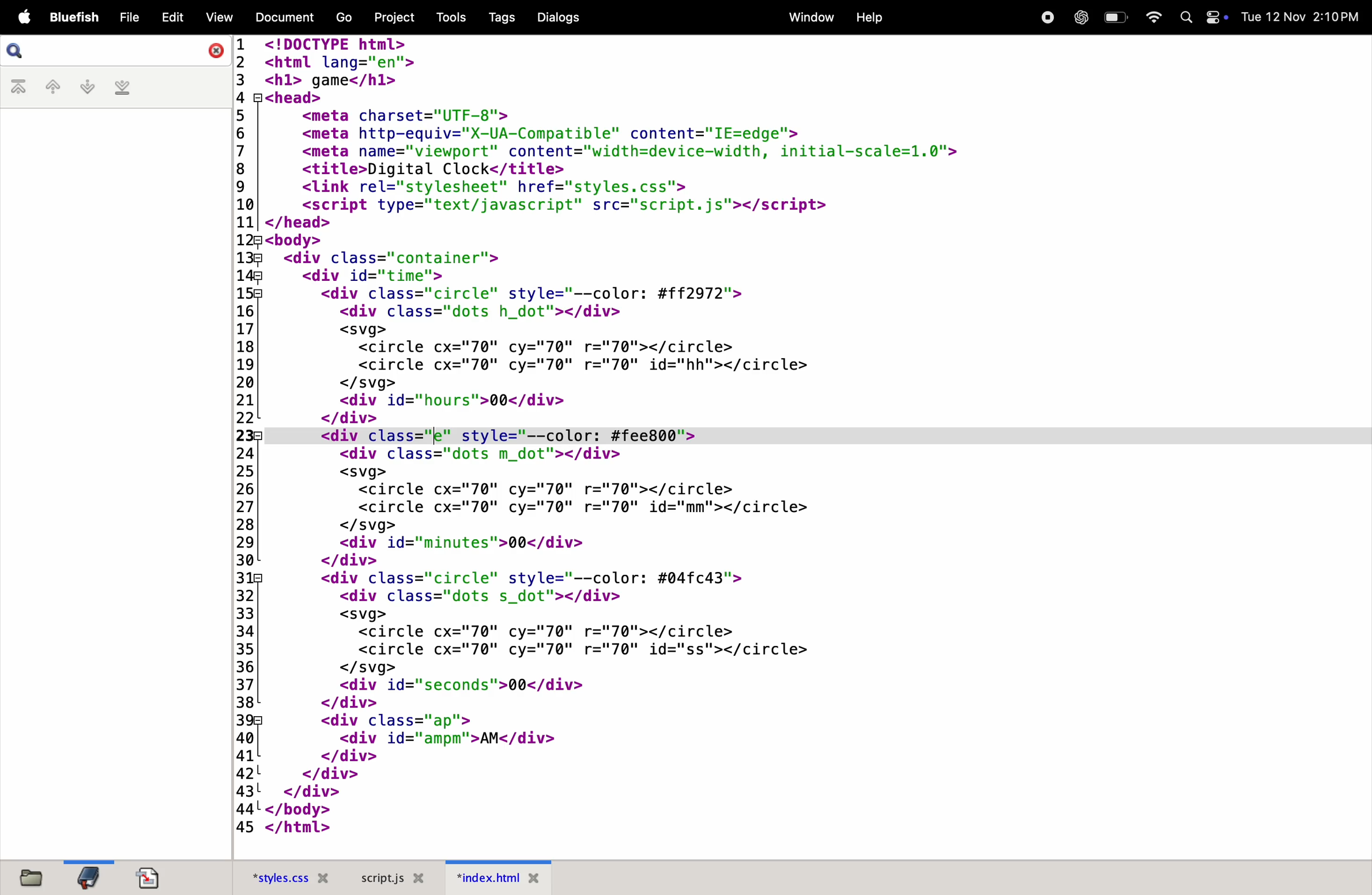 Image resolution: width=1372 pixels, height=895 pixels. What do you see at coordinates (1187, 16) in the screenshot?
I see `Search` at bounding box center [1187, 16].